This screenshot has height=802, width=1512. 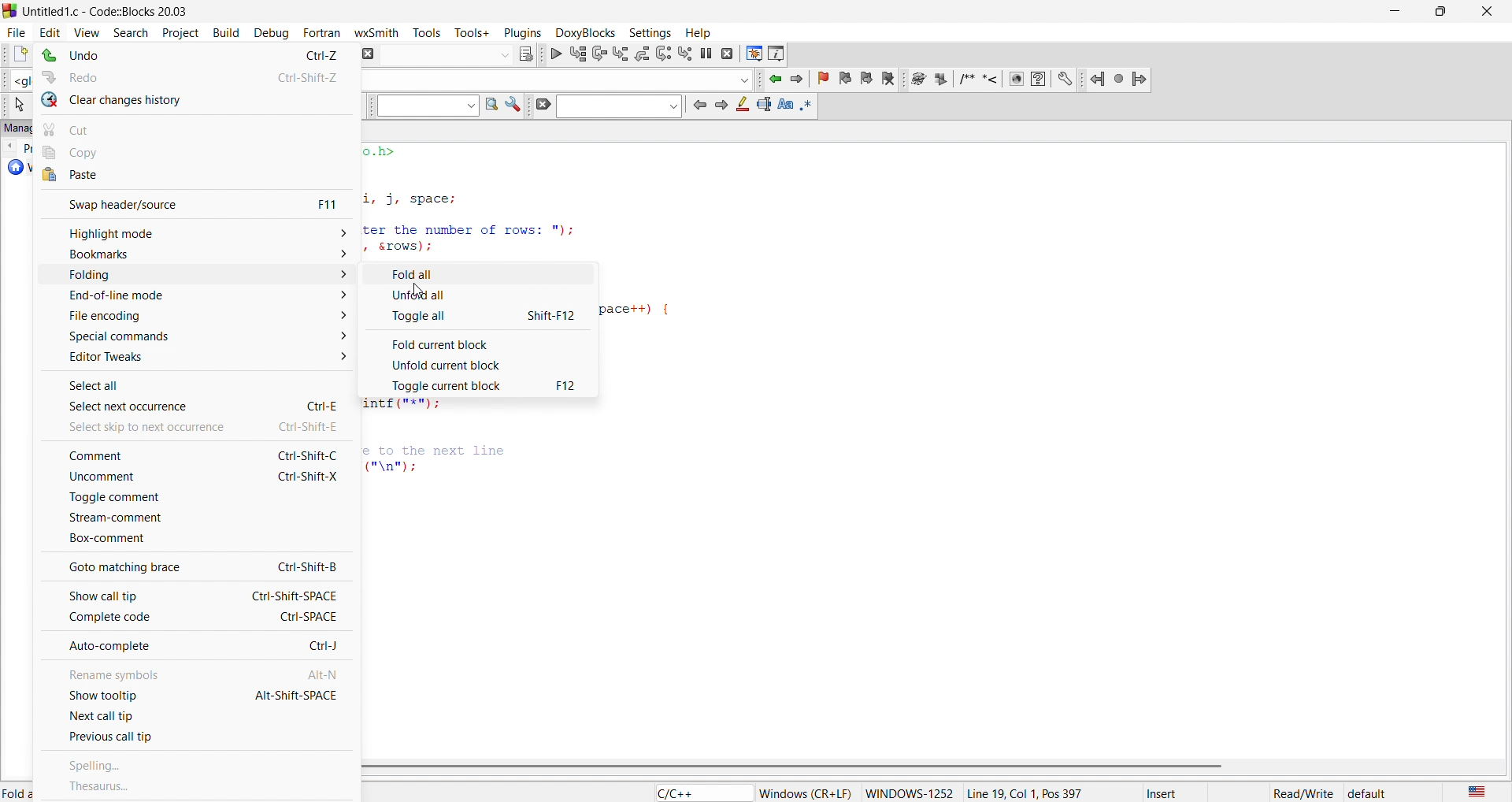 I want to click on settings, so click(x=513, y=106).